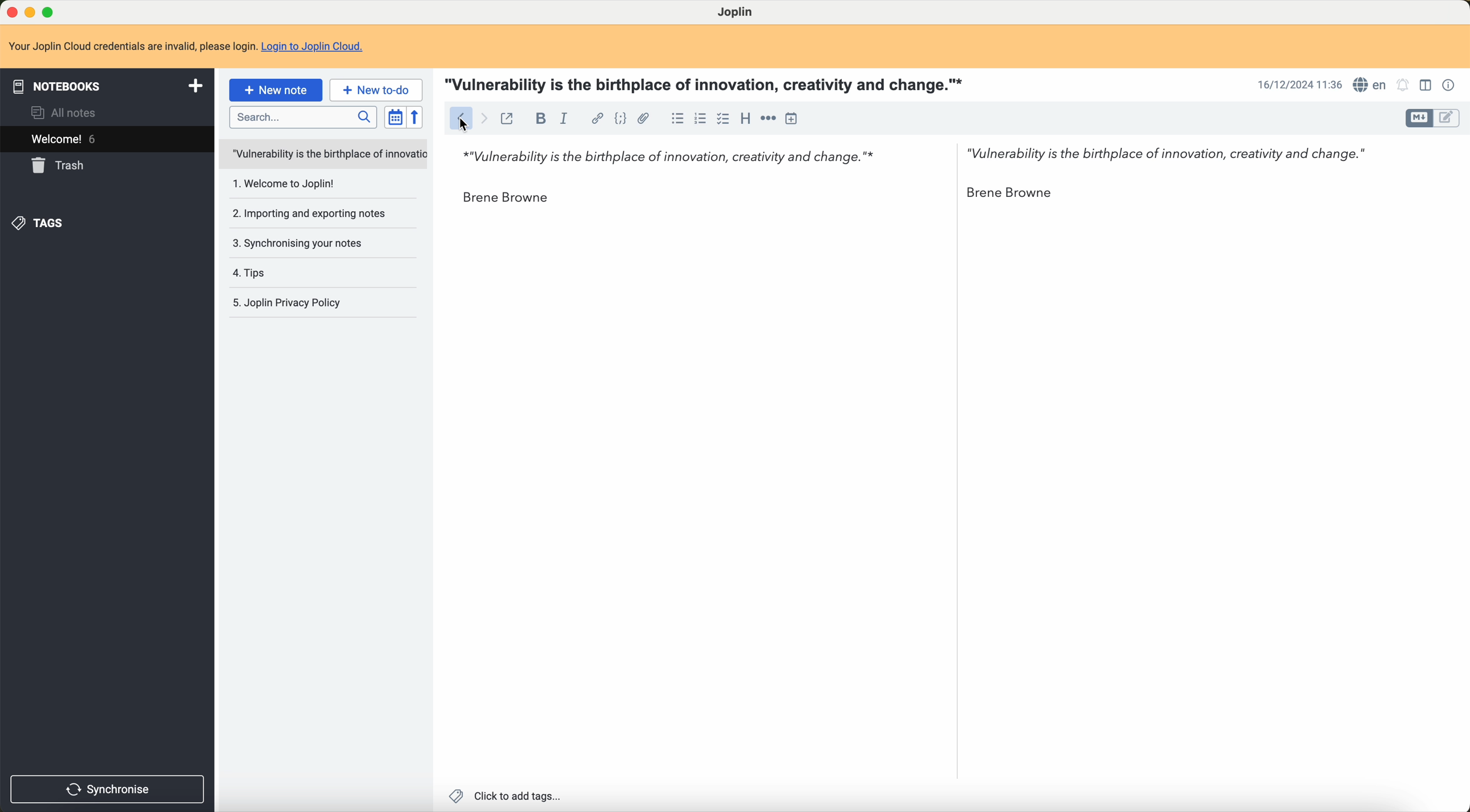 The height and width of the screenshot is (812, 1470). Describe the element at coordinates (1405, 86) in the screenshot. I see `set alarm` at that location.